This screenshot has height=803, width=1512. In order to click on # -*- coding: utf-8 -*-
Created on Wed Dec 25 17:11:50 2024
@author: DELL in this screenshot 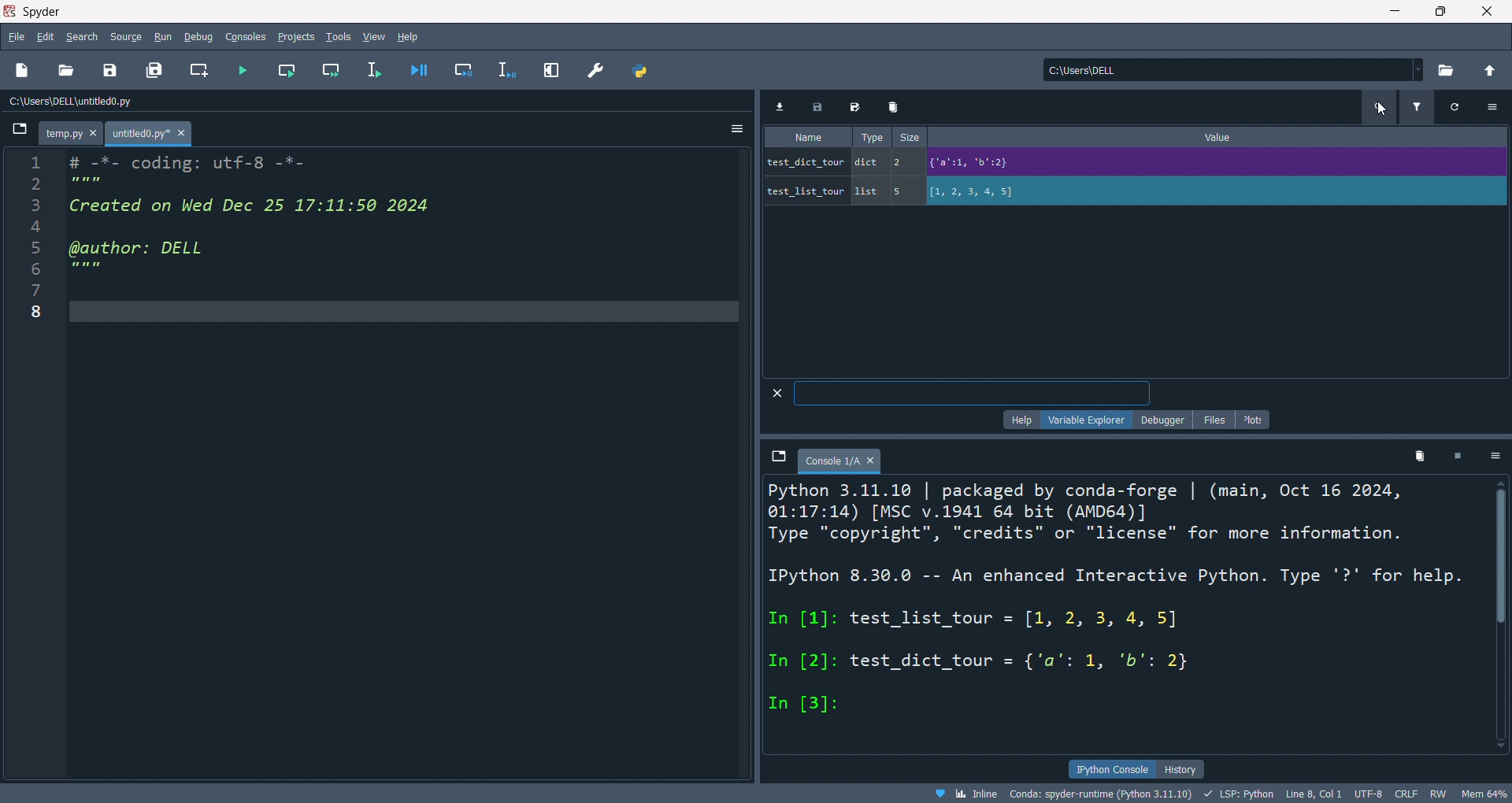, I will do `click(257, 218)`.